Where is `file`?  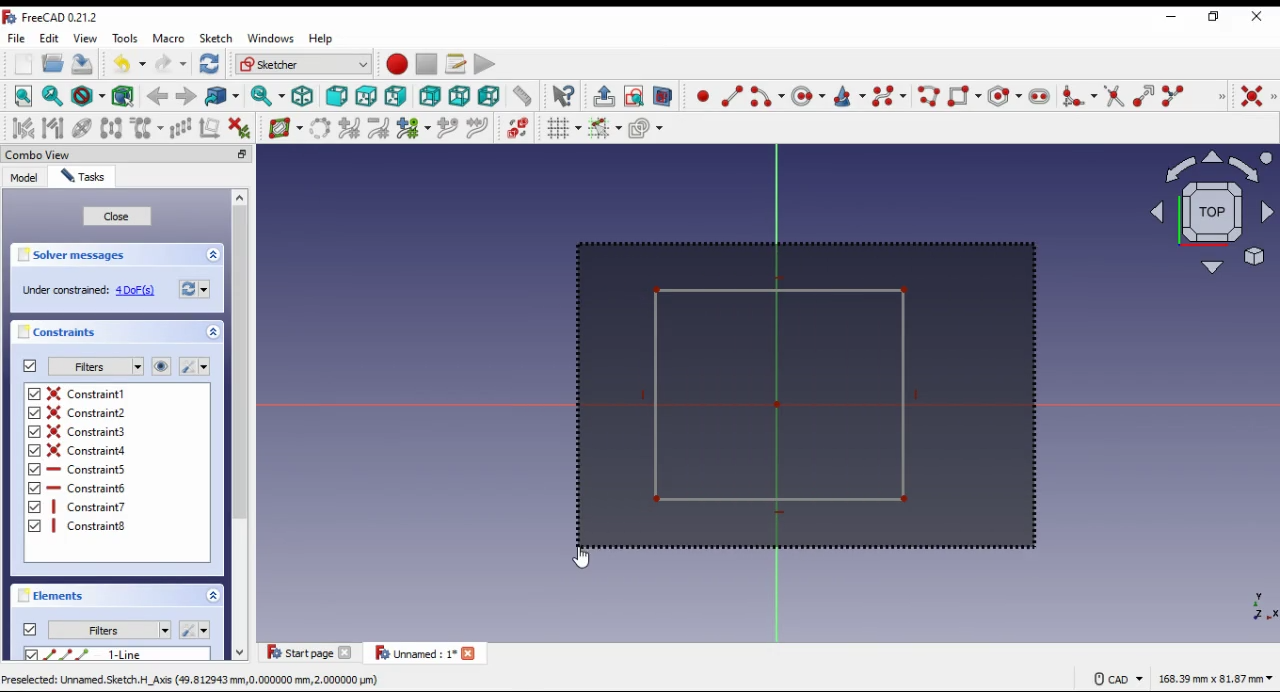 file is located at coordinates (18, 38).